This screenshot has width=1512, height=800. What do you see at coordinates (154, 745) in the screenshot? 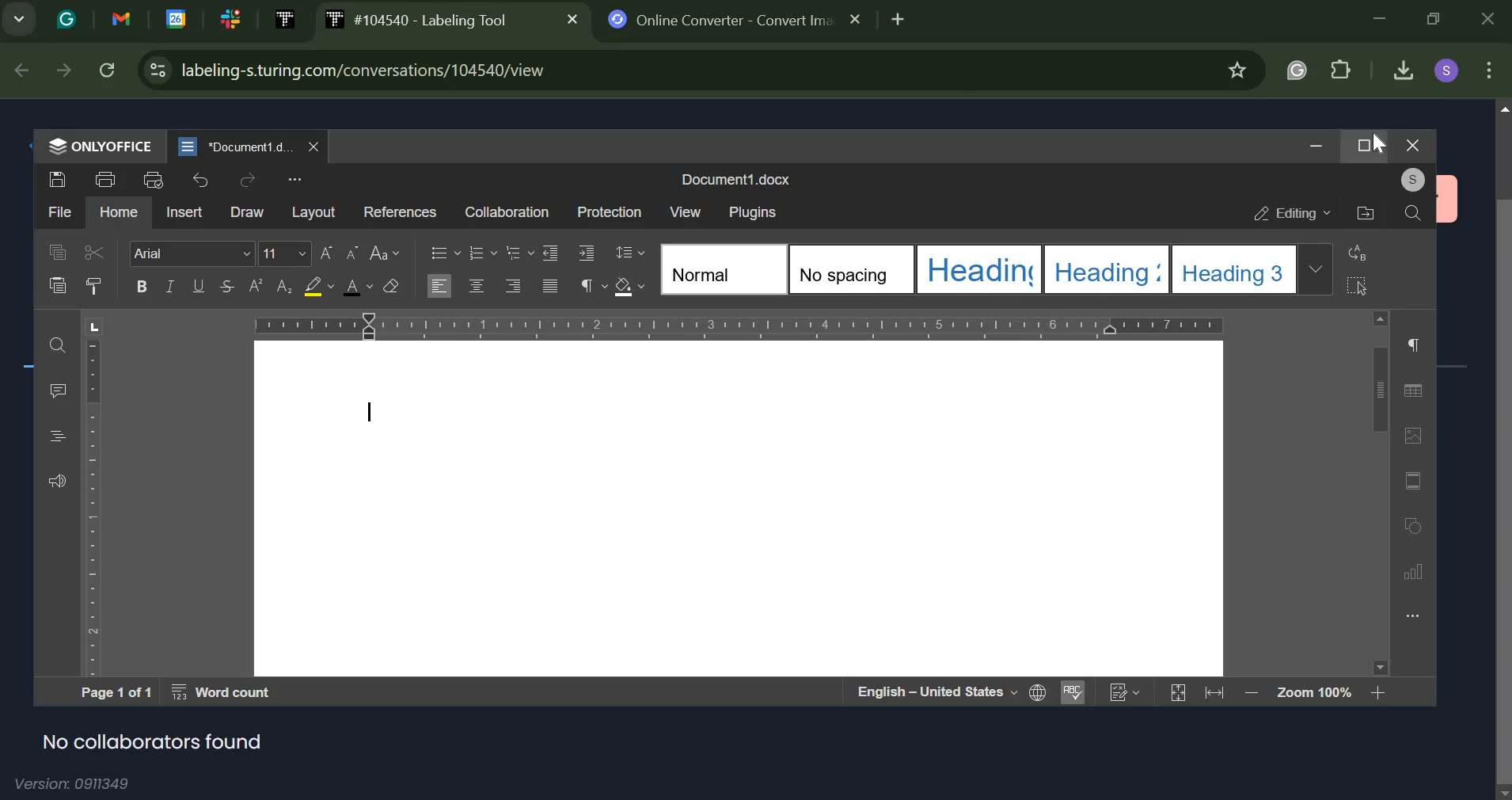
I see `No collaborators found` at bounding box center [154, 745].